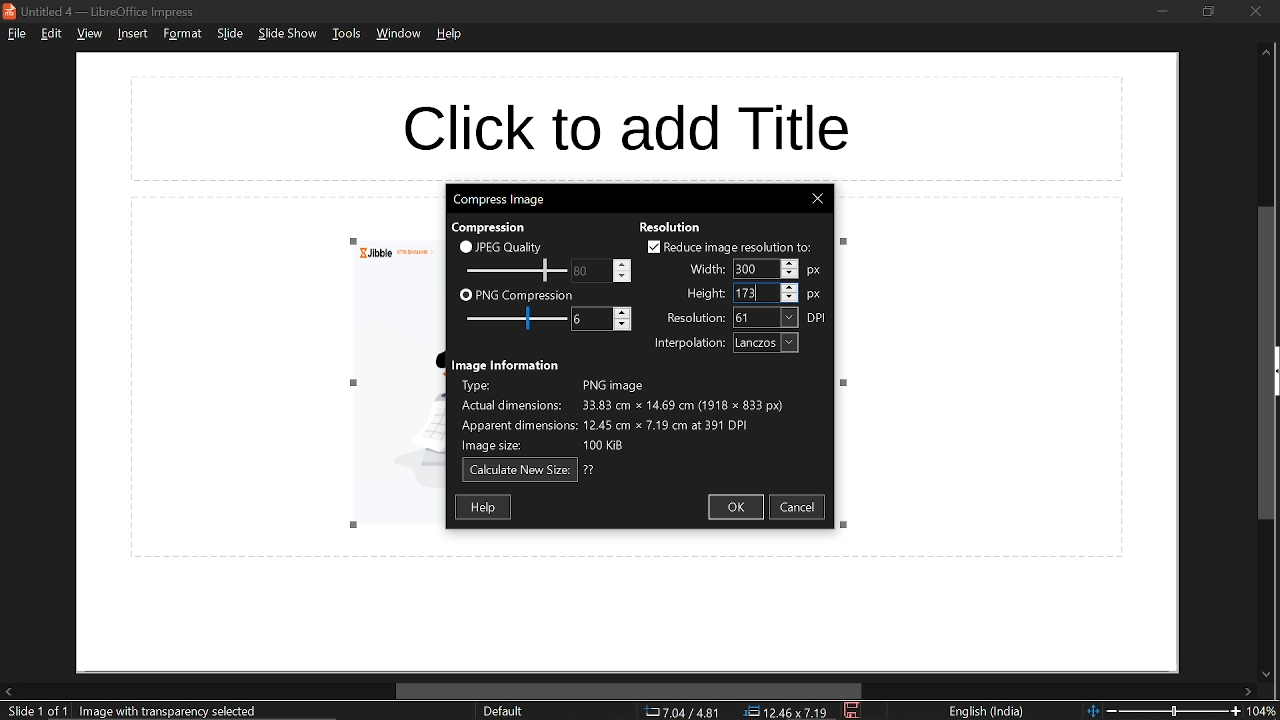  What do you see at coordinates (651, 246) in the screenshot?
I see `checkbox` at bounding box center [651, 246].